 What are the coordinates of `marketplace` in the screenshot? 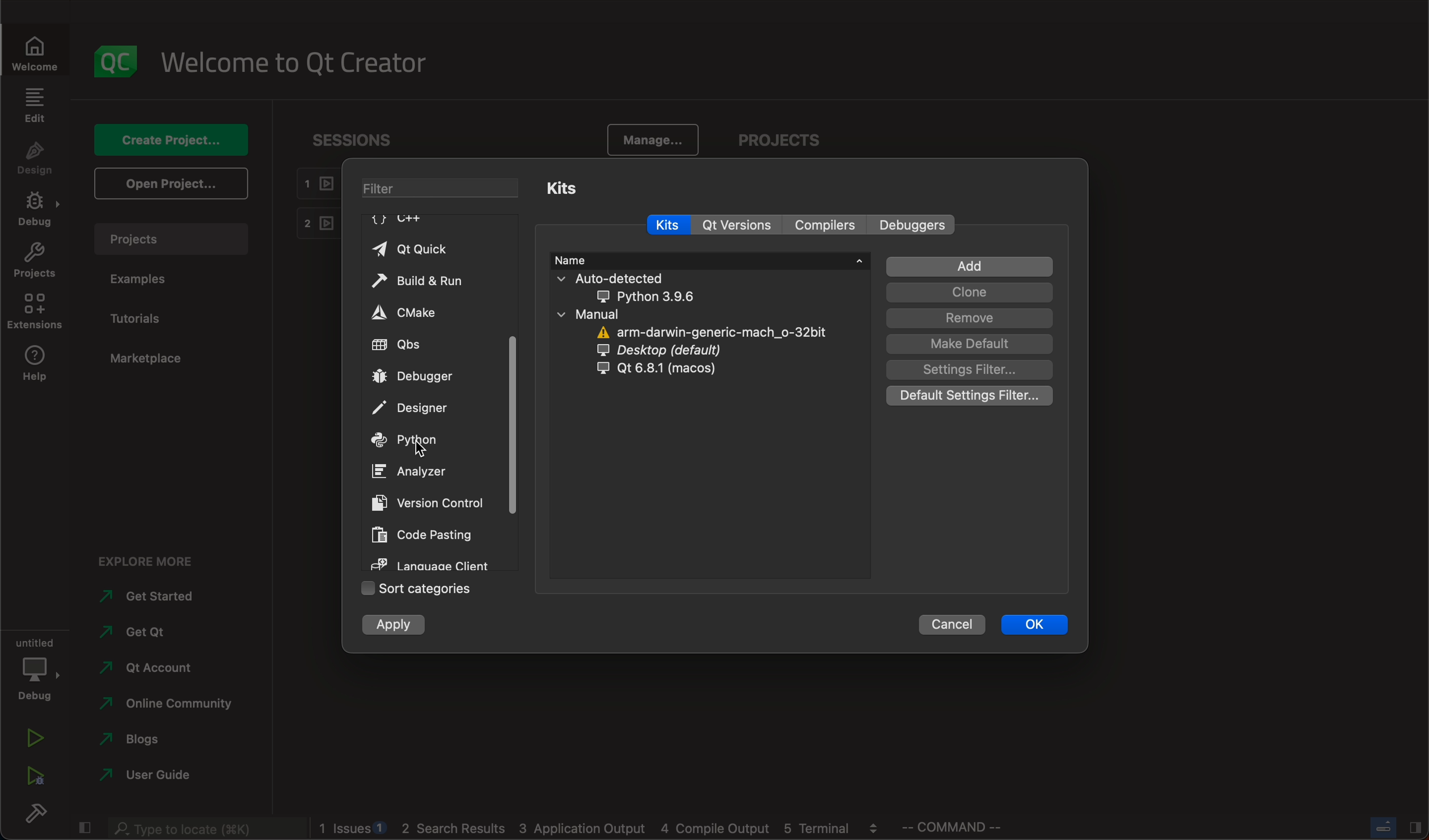 It's located at (153, 360).